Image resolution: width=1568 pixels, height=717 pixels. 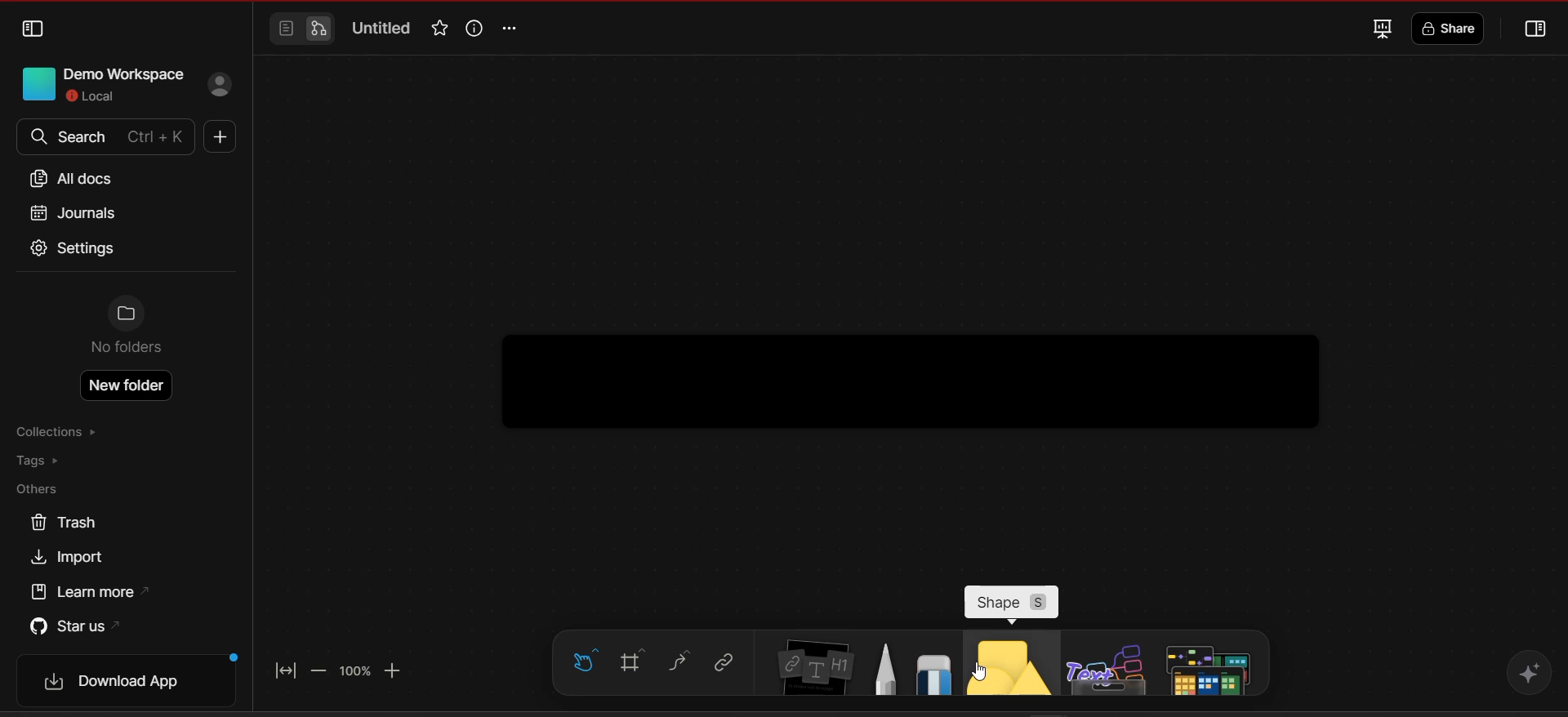 What do you see at coordinates (437, 29) in the screenshot?
I see `favorite` at bounding box center [437, 29].